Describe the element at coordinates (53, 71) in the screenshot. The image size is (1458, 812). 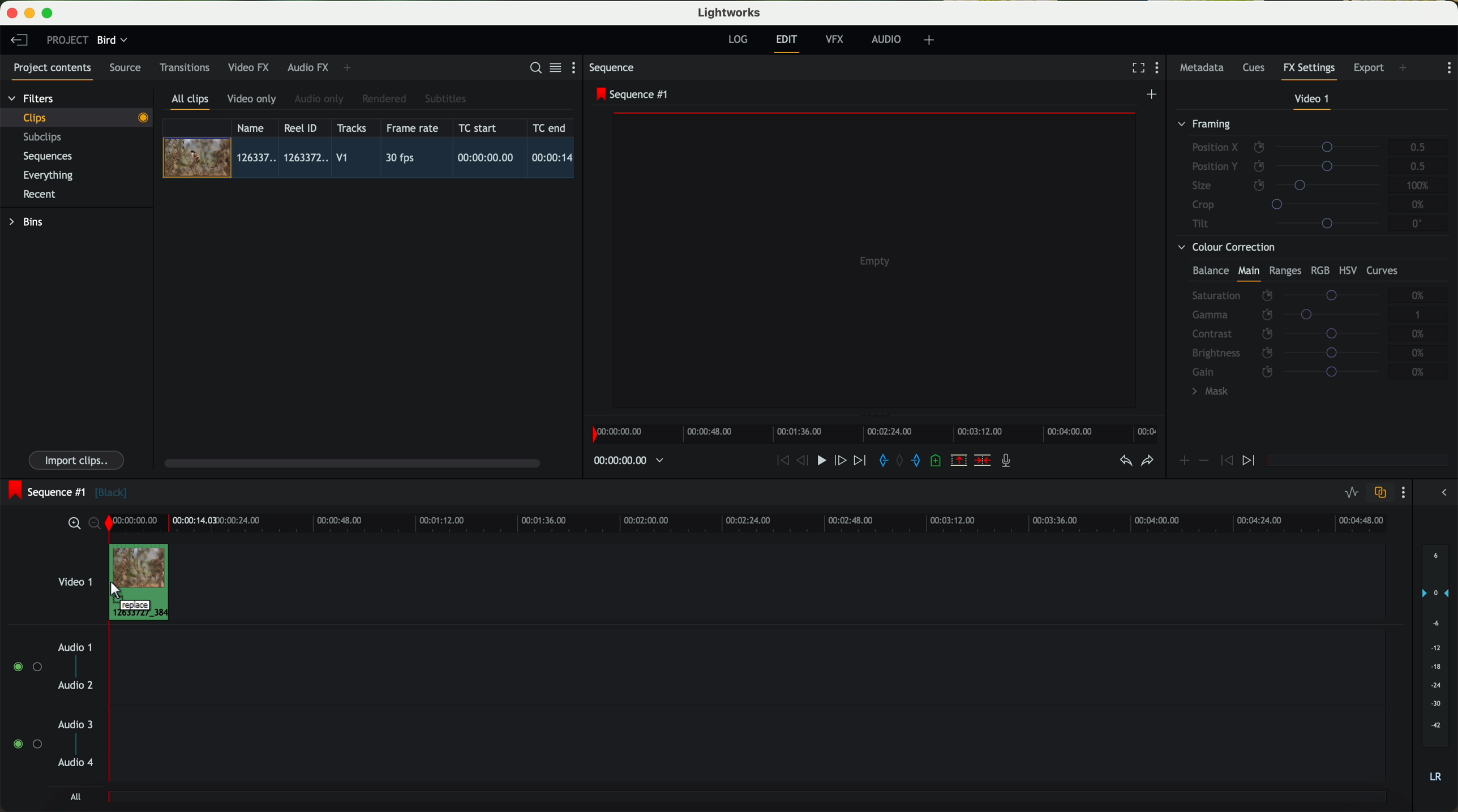
I see `project contents` at that location.